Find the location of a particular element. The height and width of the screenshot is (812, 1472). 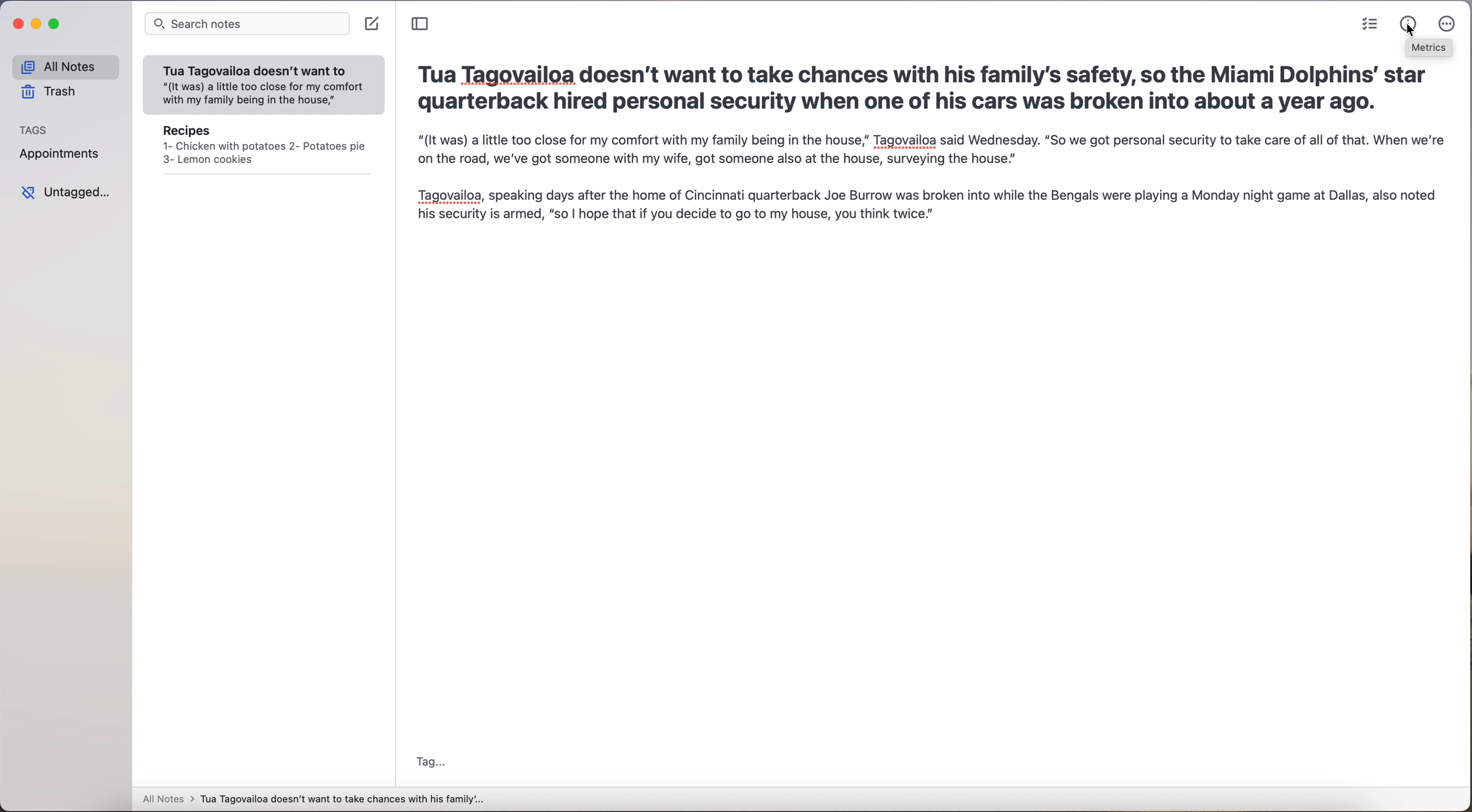

toggle sidebar is located at coordinates (421, 24).